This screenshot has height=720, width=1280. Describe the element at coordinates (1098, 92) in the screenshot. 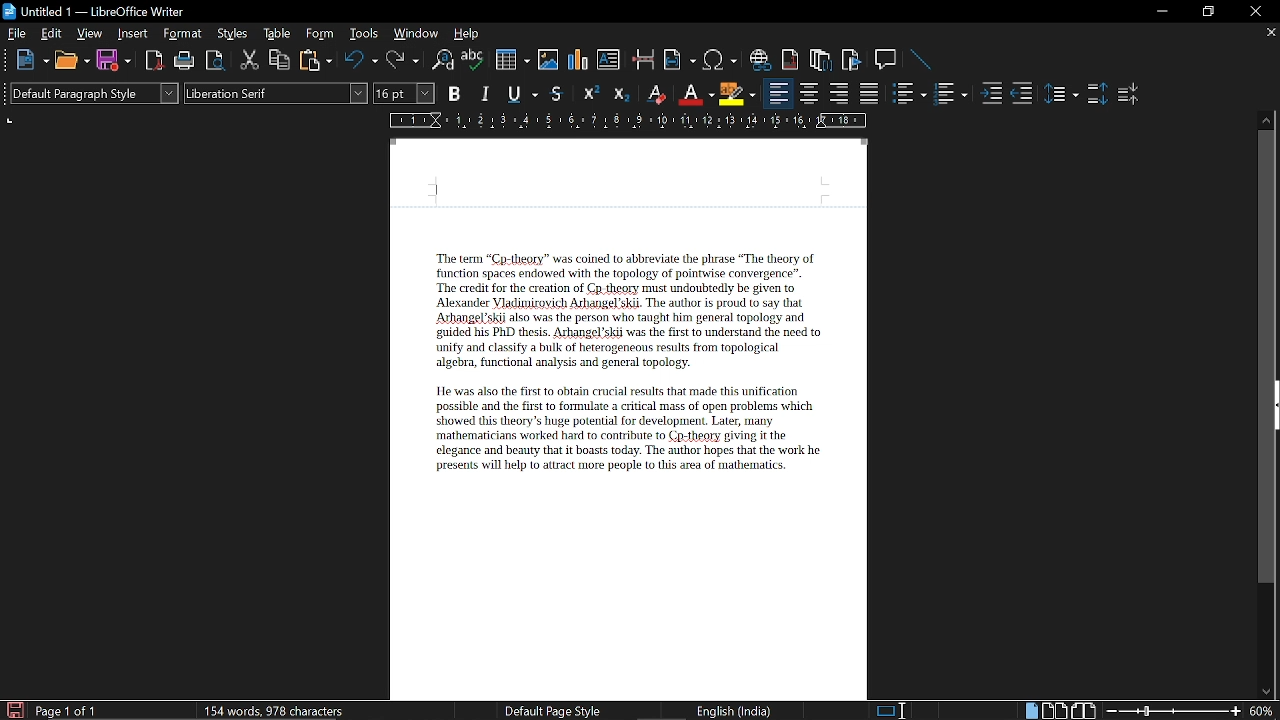

I see `Increase paragraph spacing` at that location.